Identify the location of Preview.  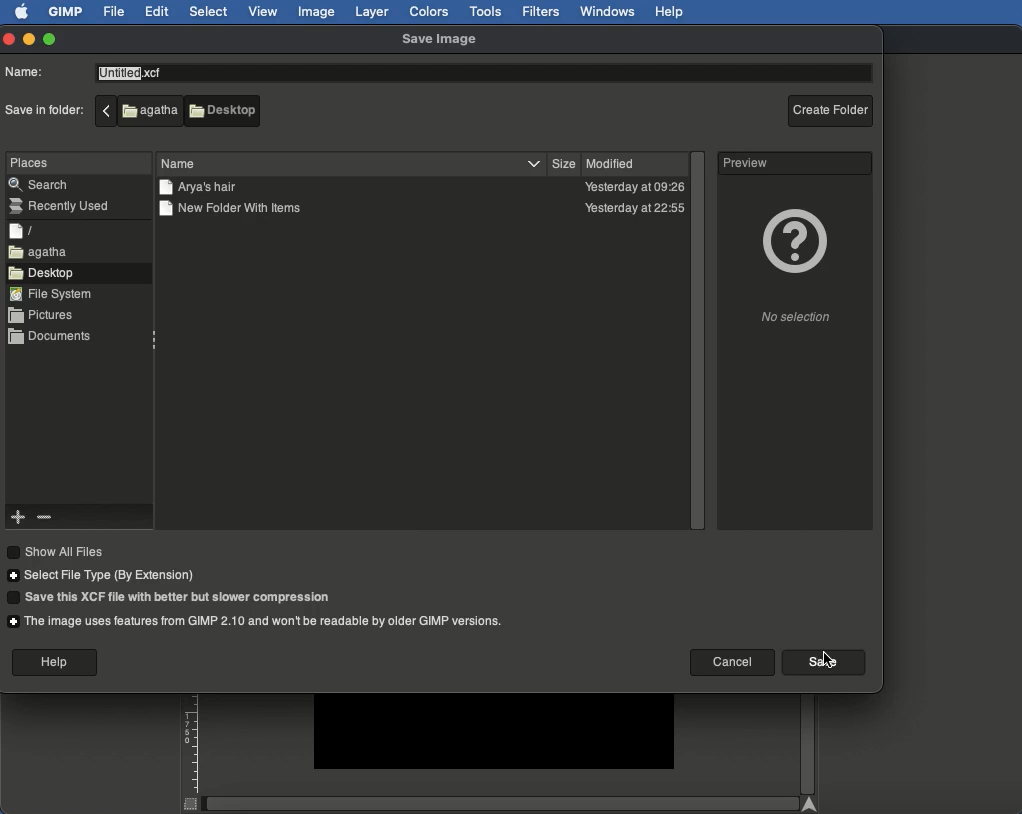
(747, 162).